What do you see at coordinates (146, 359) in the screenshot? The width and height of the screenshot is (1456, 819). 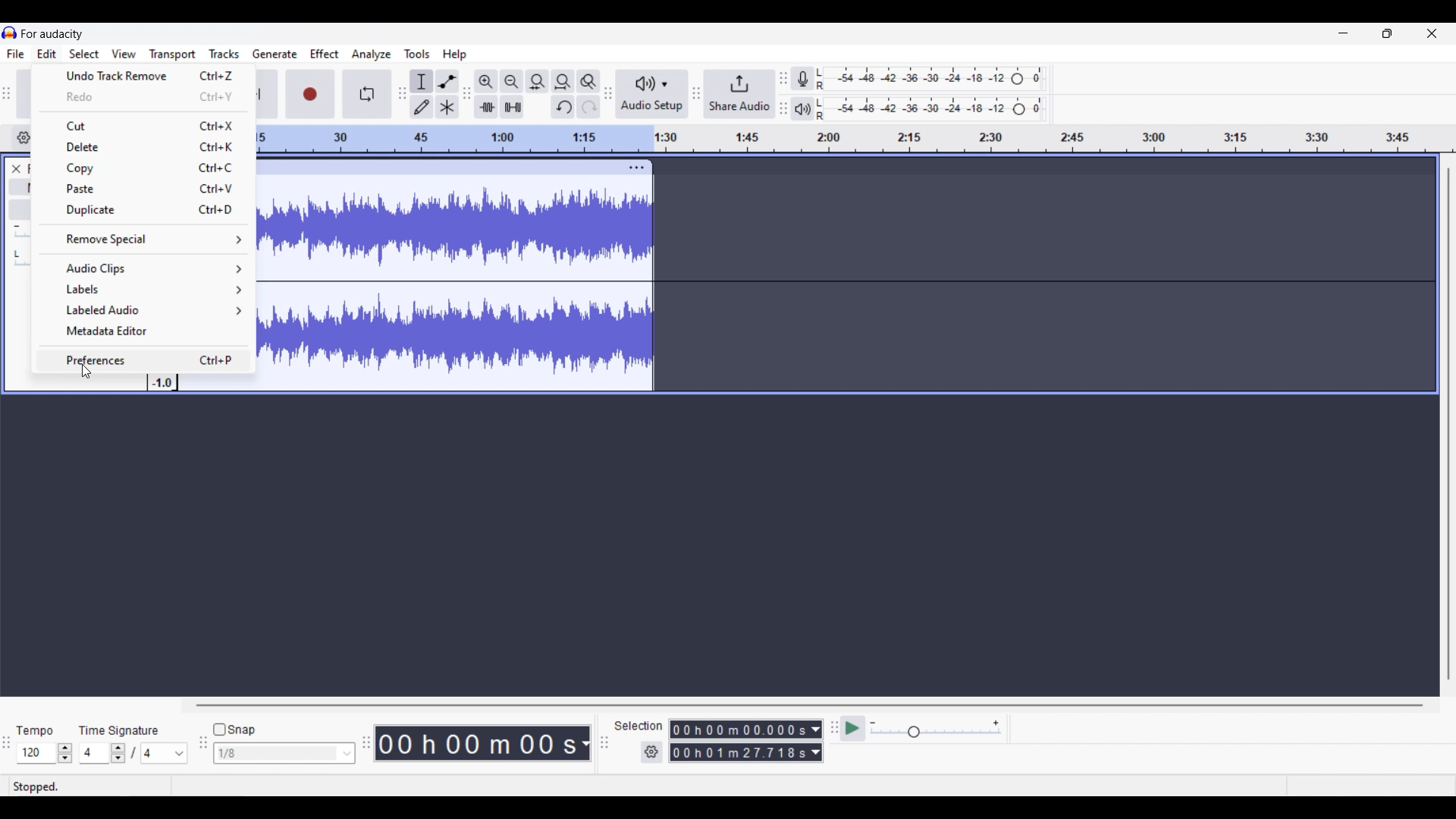 I see `Preferences` at bounding box center [146, 359].